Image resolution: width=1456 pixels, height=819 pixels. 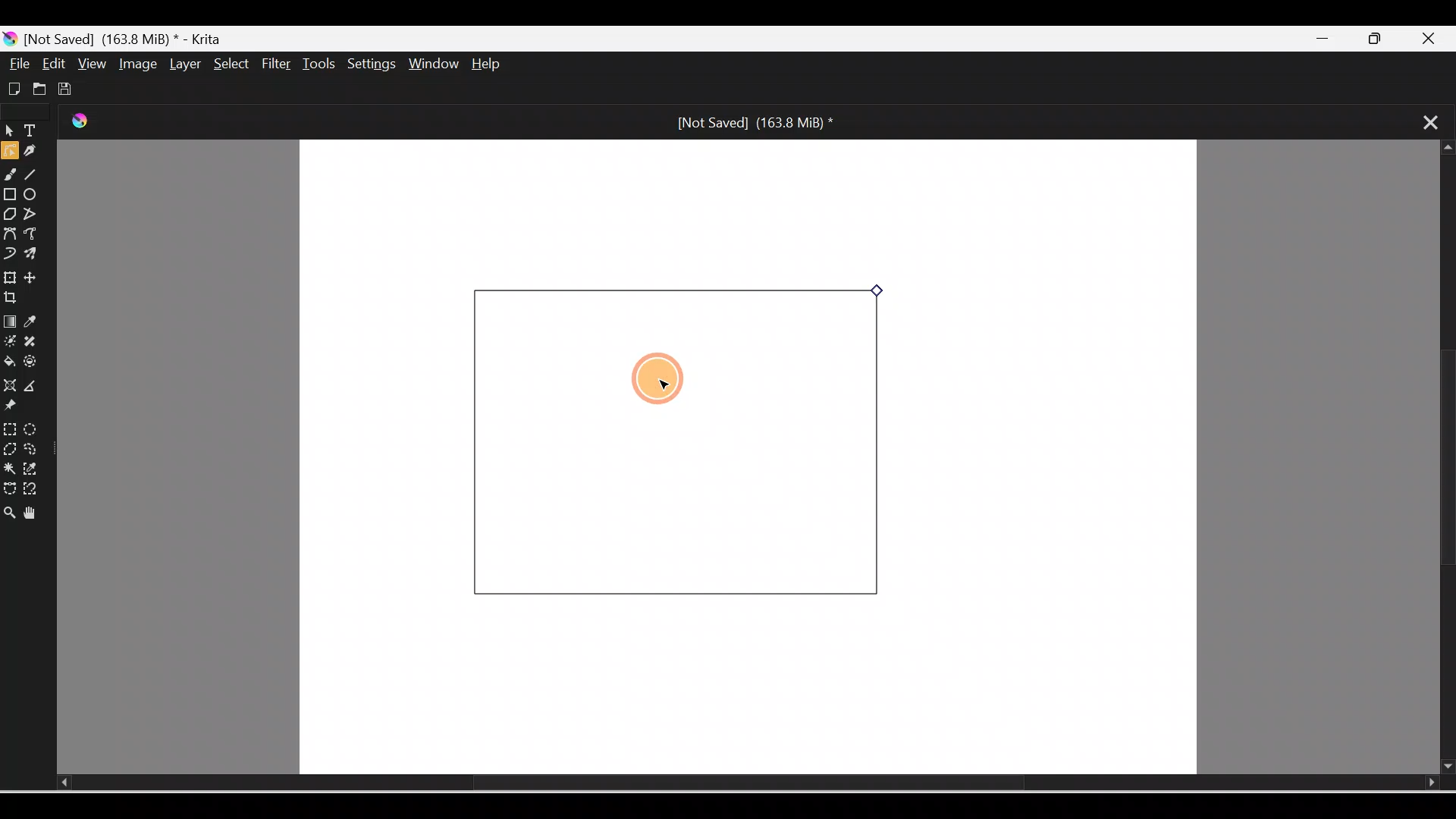 I want to click on Create new document, so click(x=12, y=87).